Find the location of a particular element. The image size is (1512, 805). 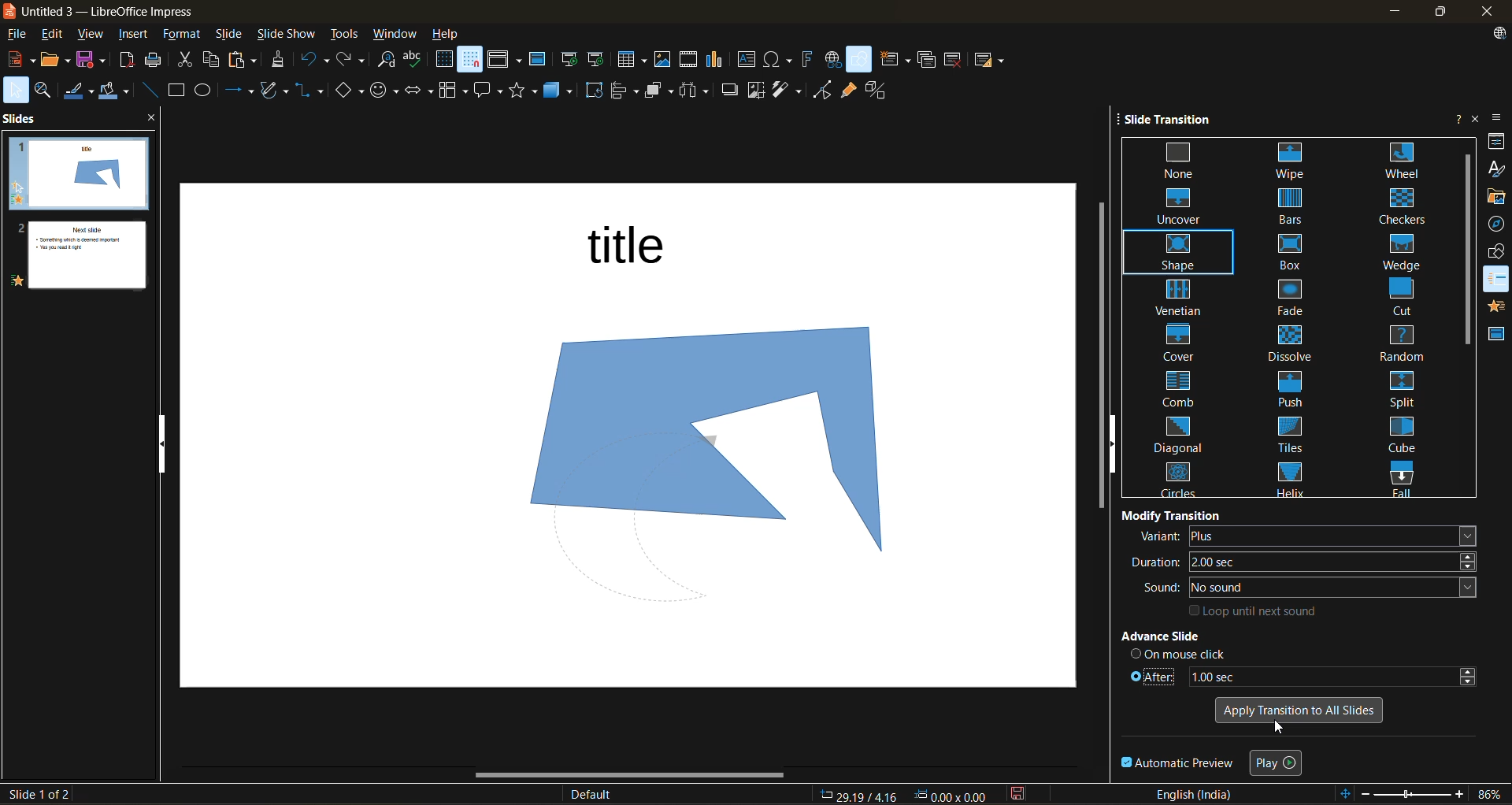

maximize is located at coordinates (1446, 12).